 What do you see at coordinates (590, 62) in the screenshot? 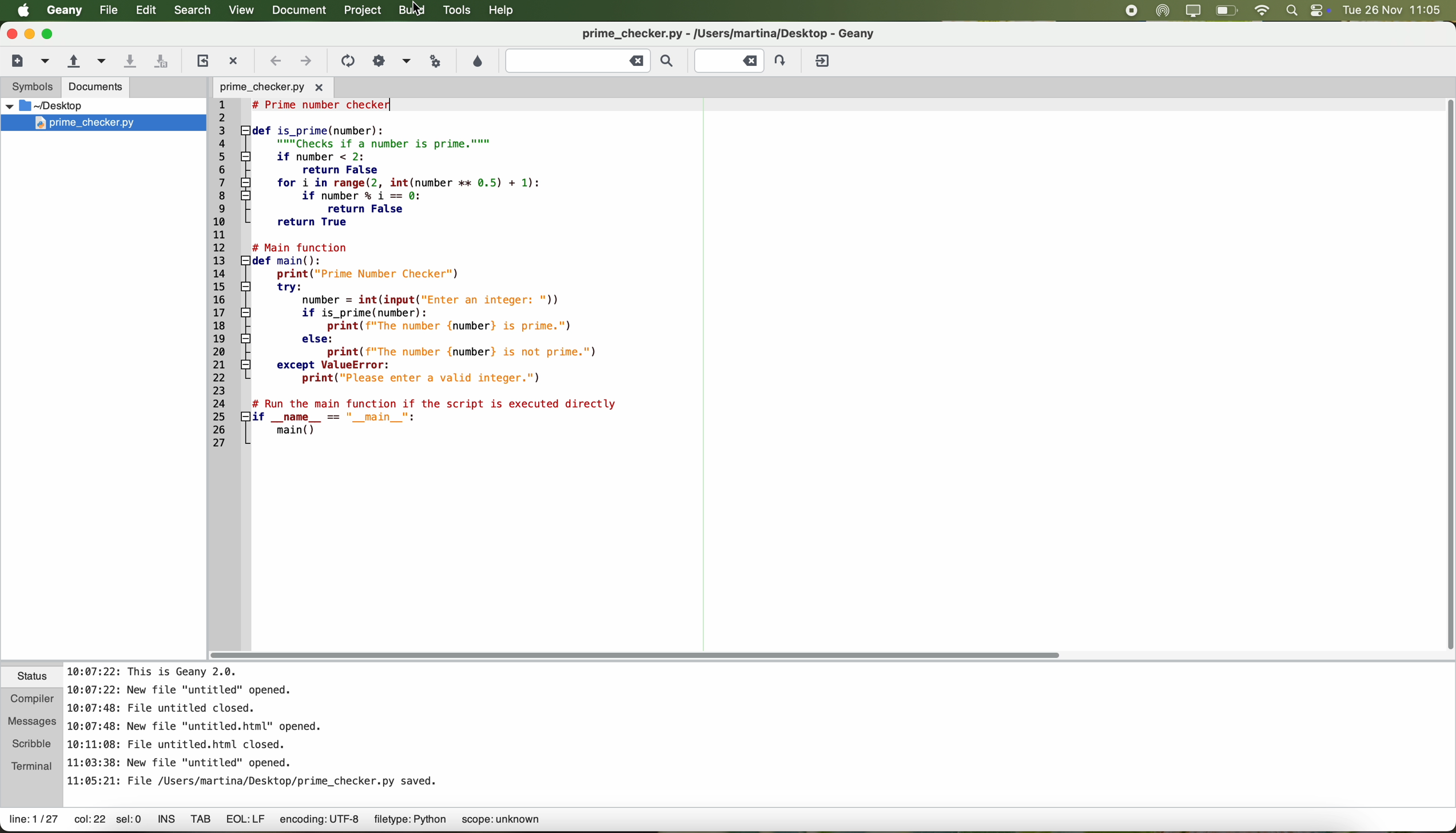
I see `find the entered text in the current file` at bounding box center [590, 62].